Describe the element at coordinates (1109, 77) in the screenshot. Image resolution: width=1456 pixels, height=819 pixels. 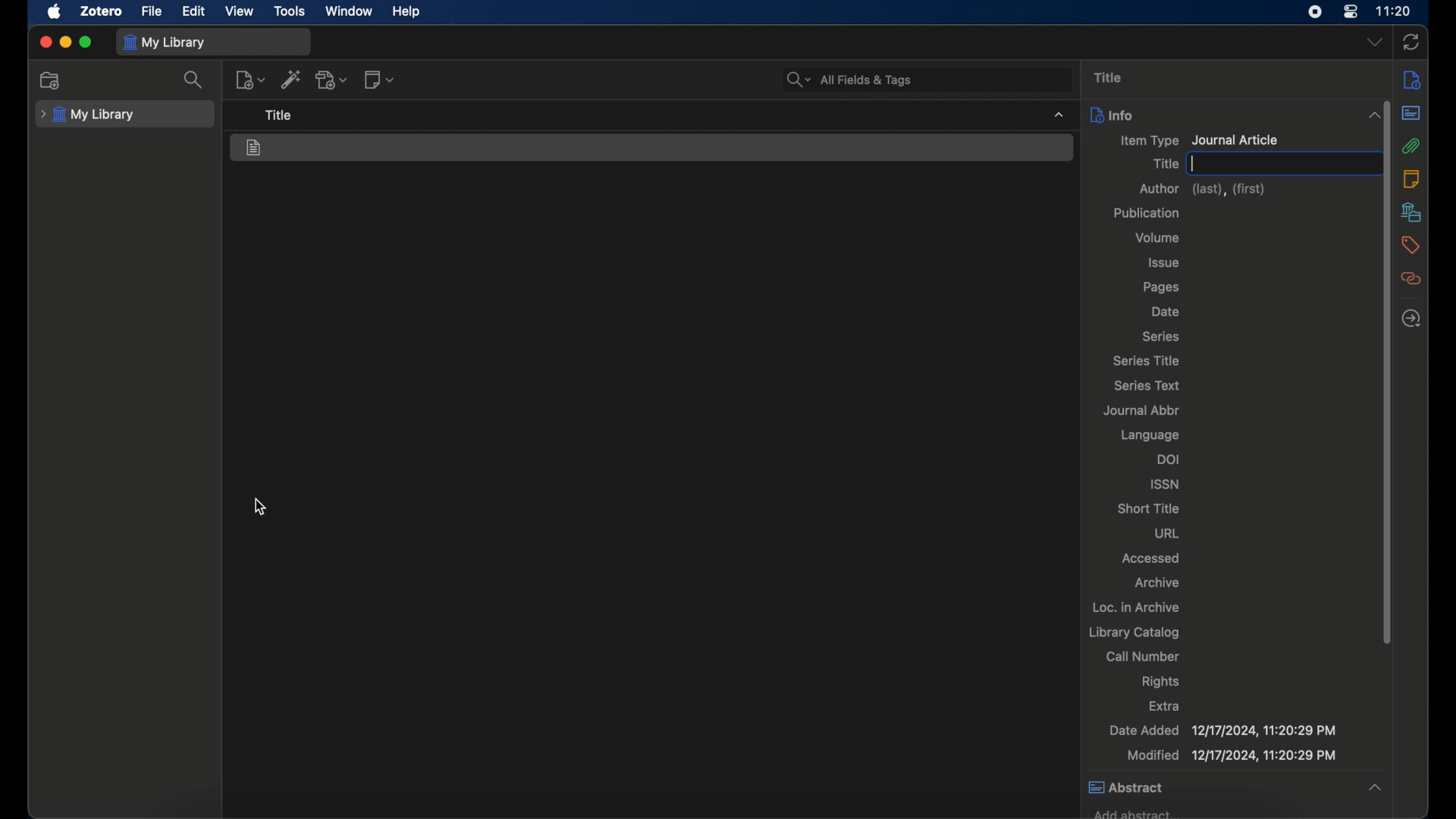
I see `title` at that location.